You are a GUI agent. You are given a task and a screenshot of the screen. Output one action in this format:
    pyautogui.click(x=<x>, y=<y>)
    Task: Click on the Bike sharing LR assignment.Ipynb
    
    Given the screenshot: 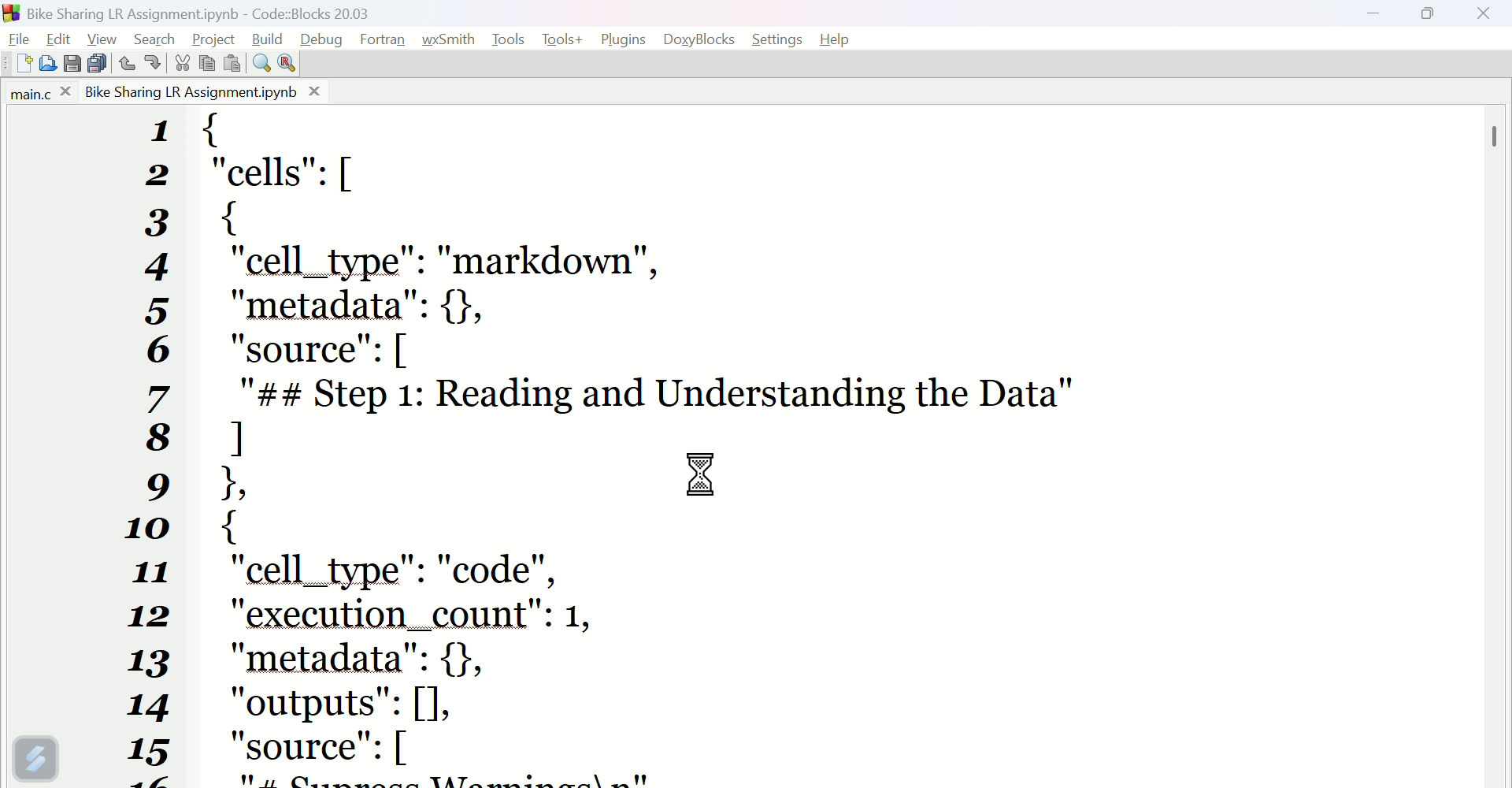 What is the action you would take?
    pyautogui.click(x=202, y=91)
    